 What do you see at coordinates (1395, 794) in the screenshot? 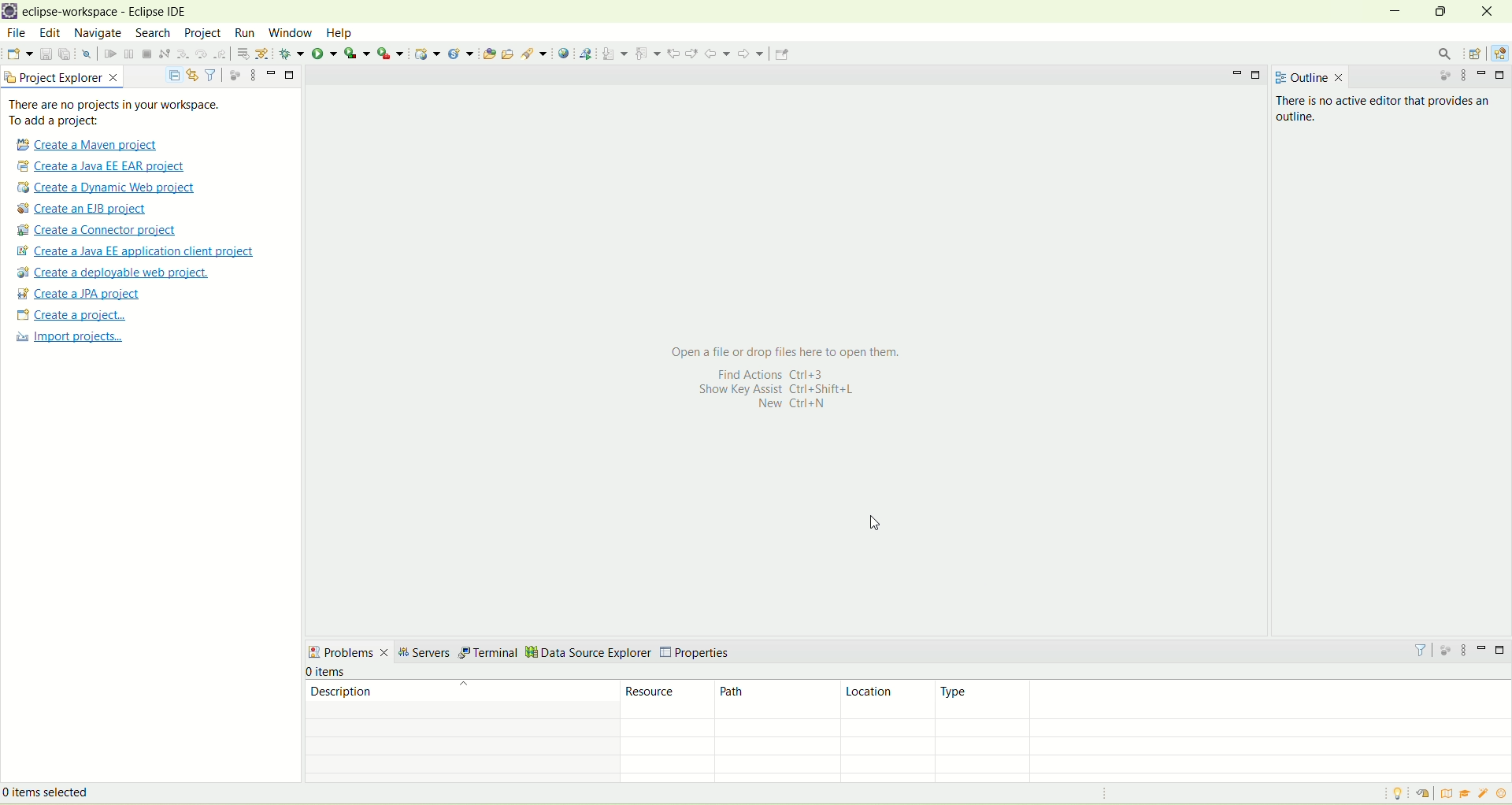
I see `tip of the day` at bounding box center [1395, 794].